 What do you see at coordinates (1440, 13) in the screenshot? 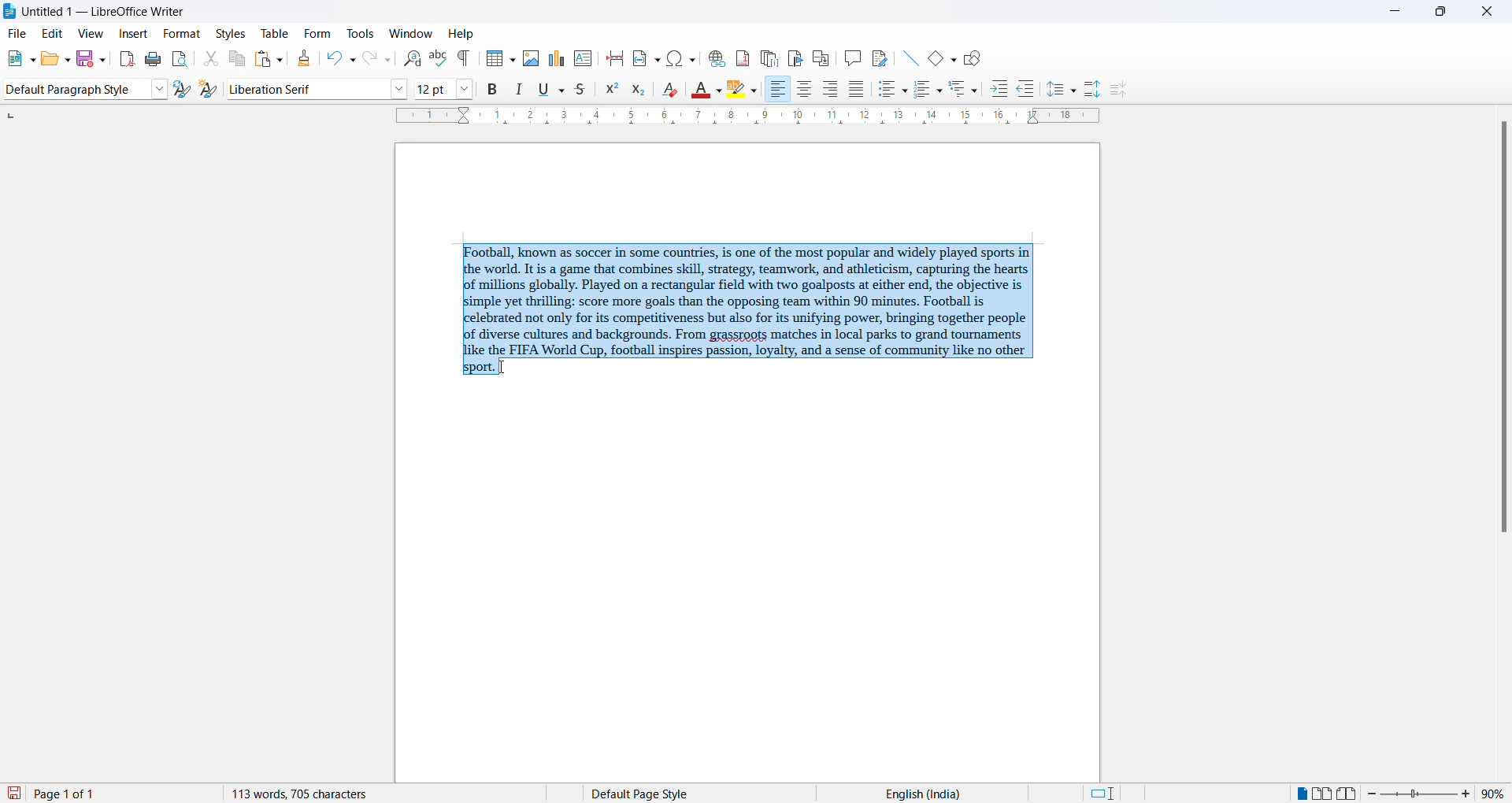
I see `maximize` at bounding box center [1440, 13].